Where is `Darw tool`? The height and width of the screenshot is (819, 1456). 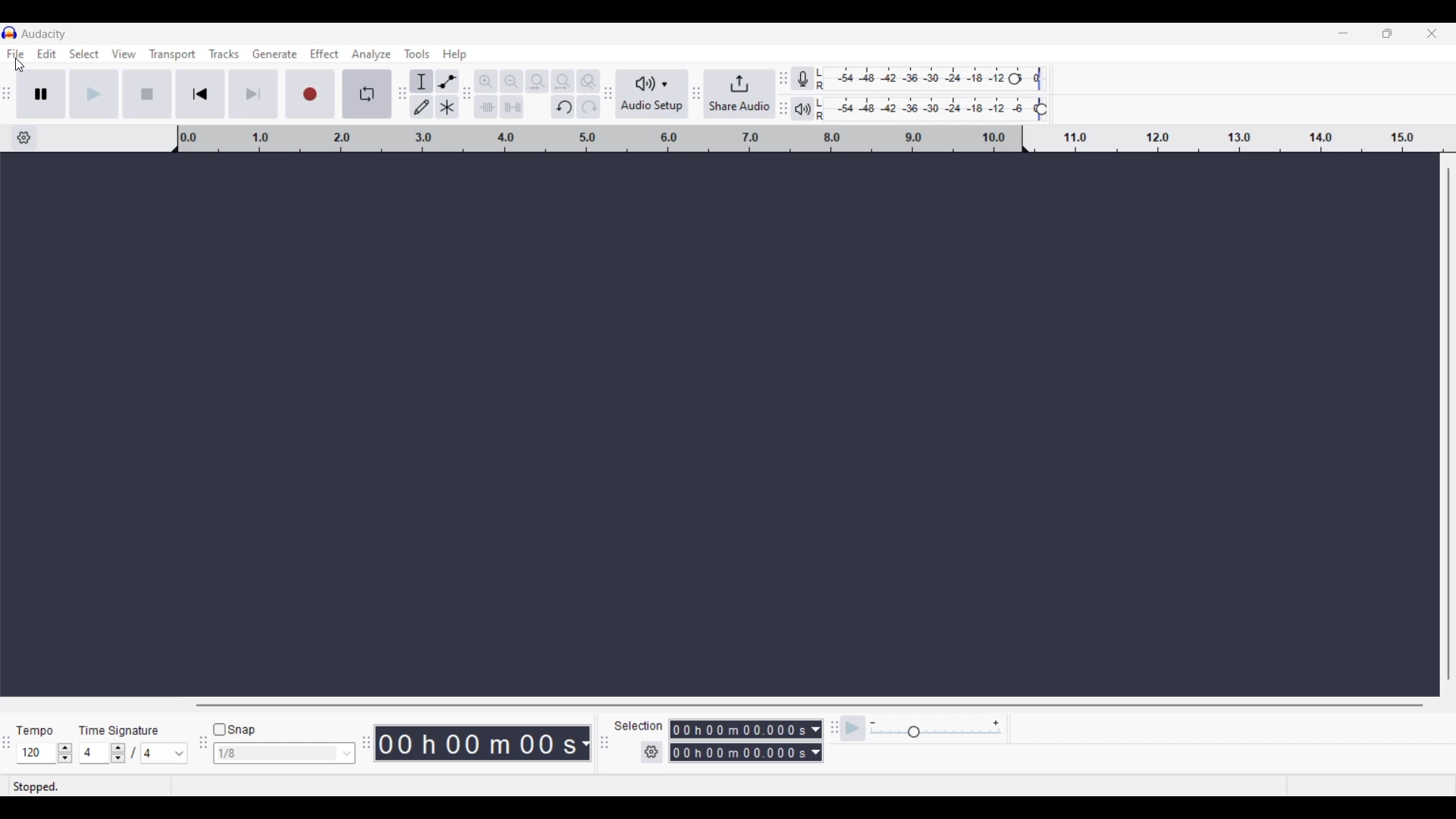
Darw tool is located at coordinates (421, 106).